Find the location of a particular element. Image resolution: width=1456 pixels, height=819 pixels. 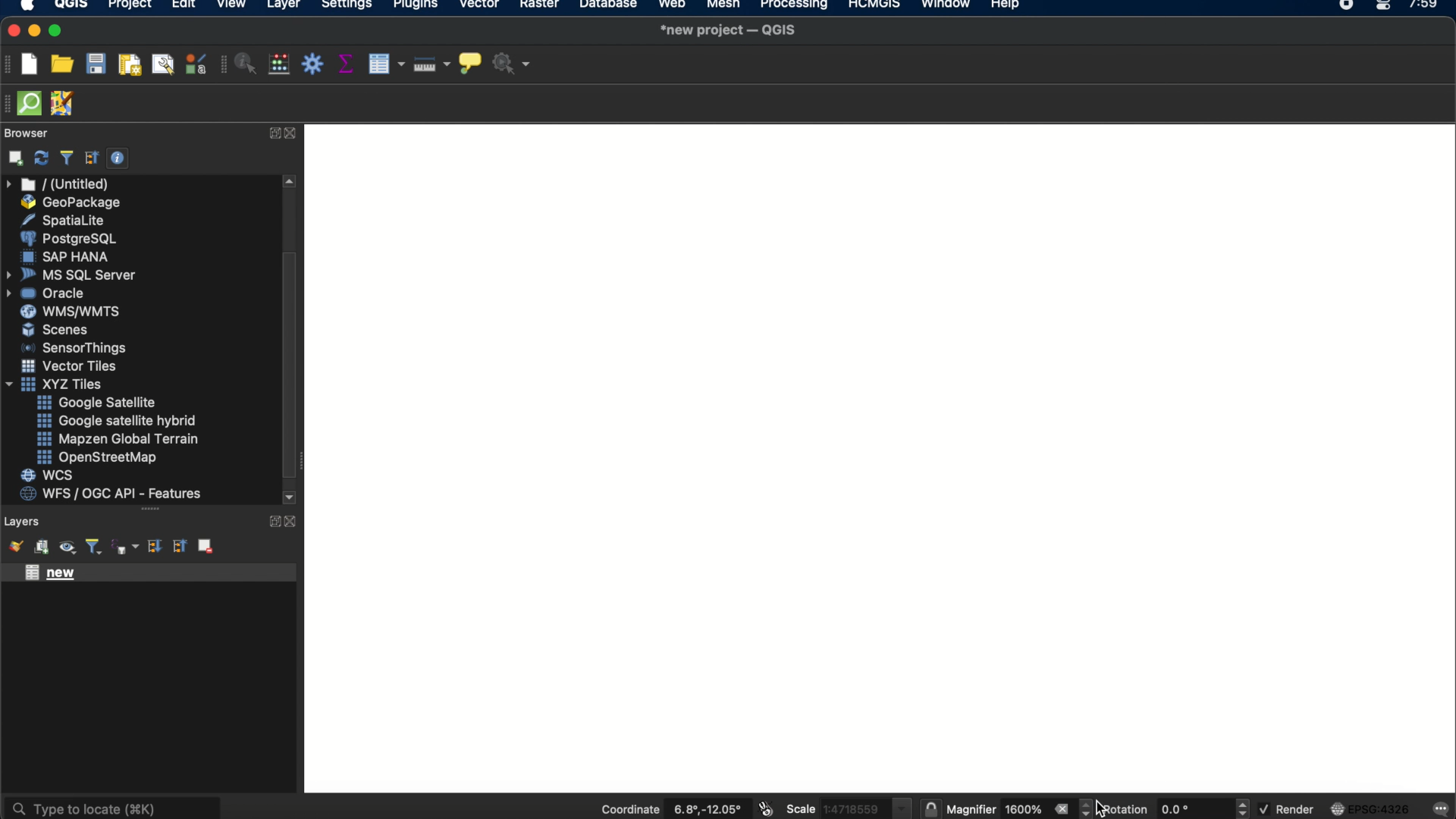

plugins is located at coordinates (416, 7).